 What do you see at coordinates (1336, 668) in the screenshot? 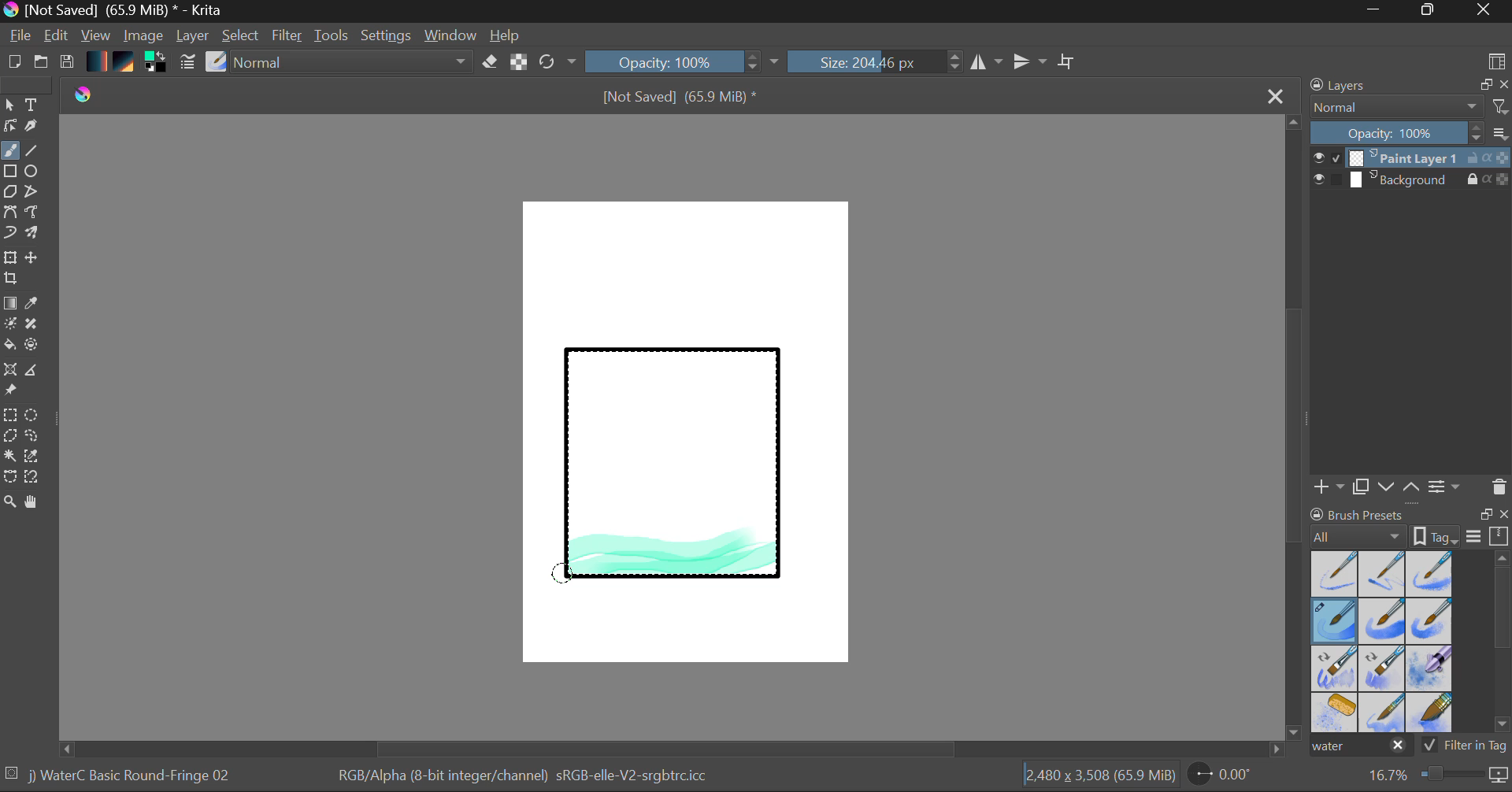
I see `Water C - Grain Tilt` at bounding box center [1336, 668].